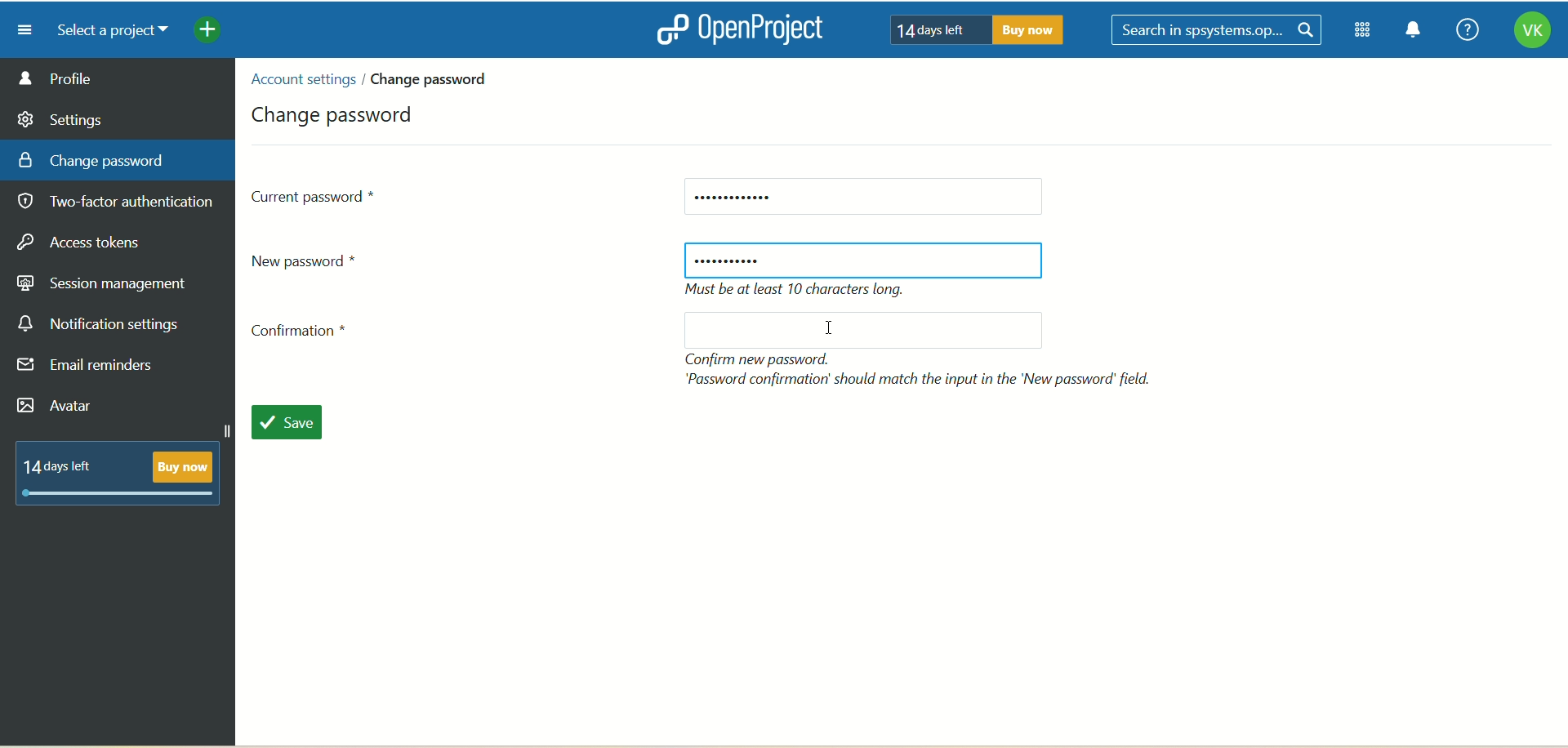 The height and width of the screenshot is (748, 1568). What do you see at coordinates (855, 330) in the screenshot?
I see `blank space` at bounding box center [855, 330].